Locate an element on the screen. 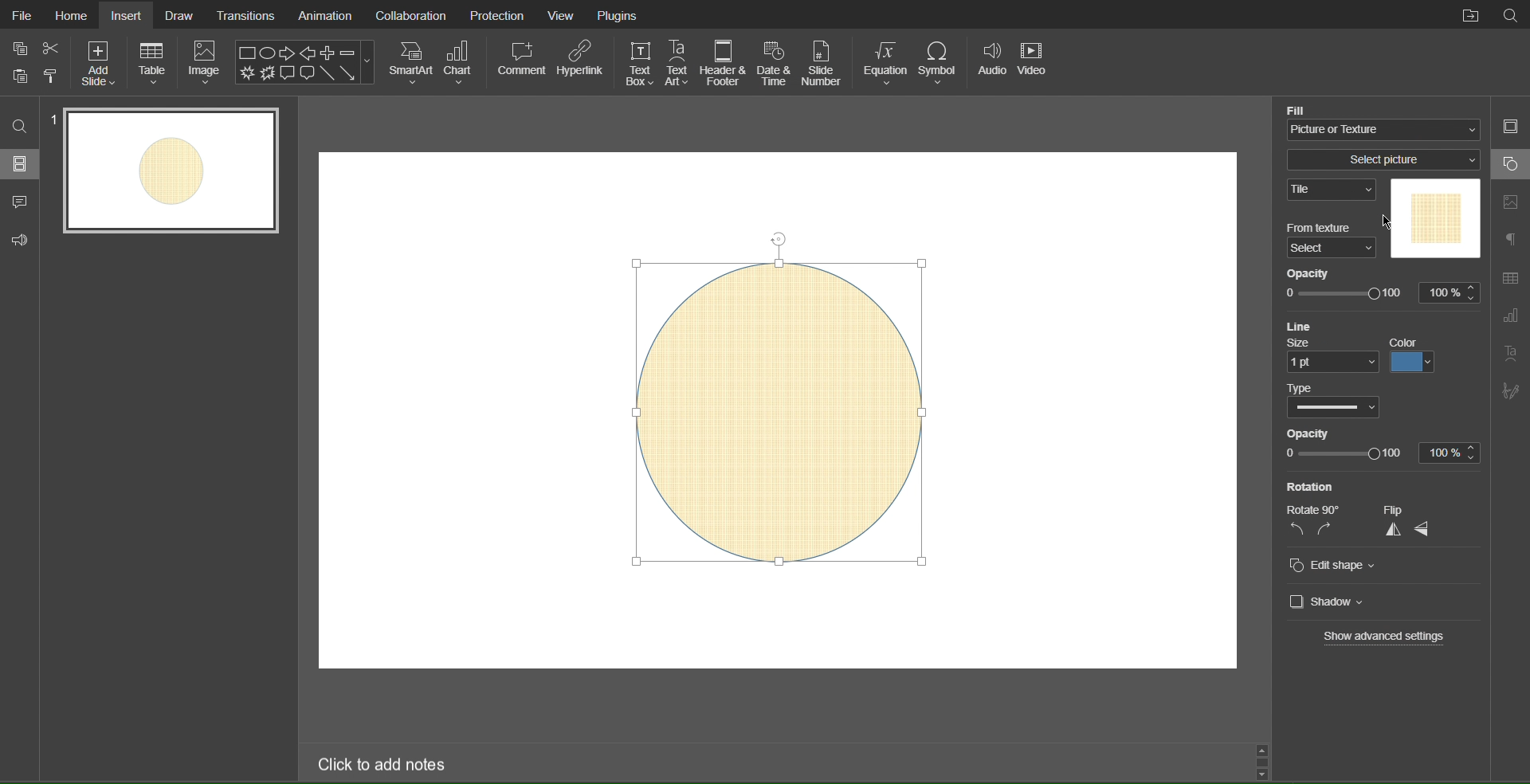 The height and width of the screenshot is (784, 1530). Slide 1 is located at coordinates (173, 172).